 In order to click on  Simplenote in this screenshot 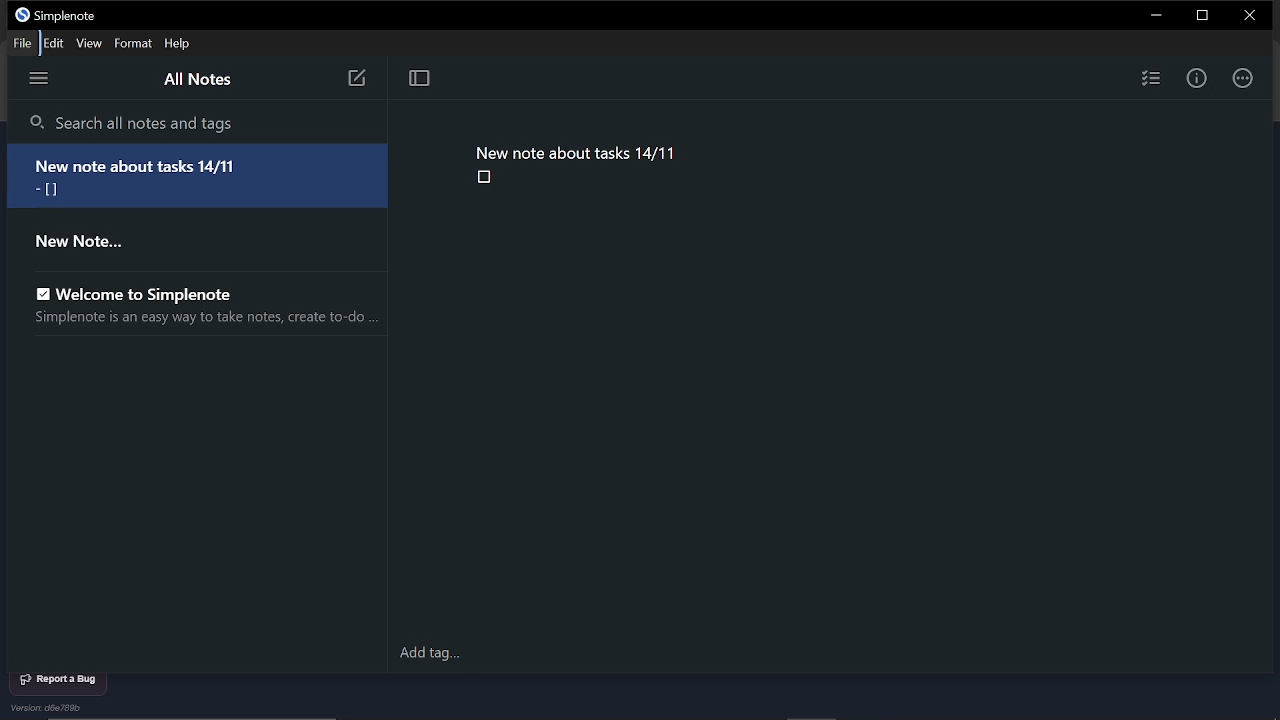, I will do `click(72, 16)`.